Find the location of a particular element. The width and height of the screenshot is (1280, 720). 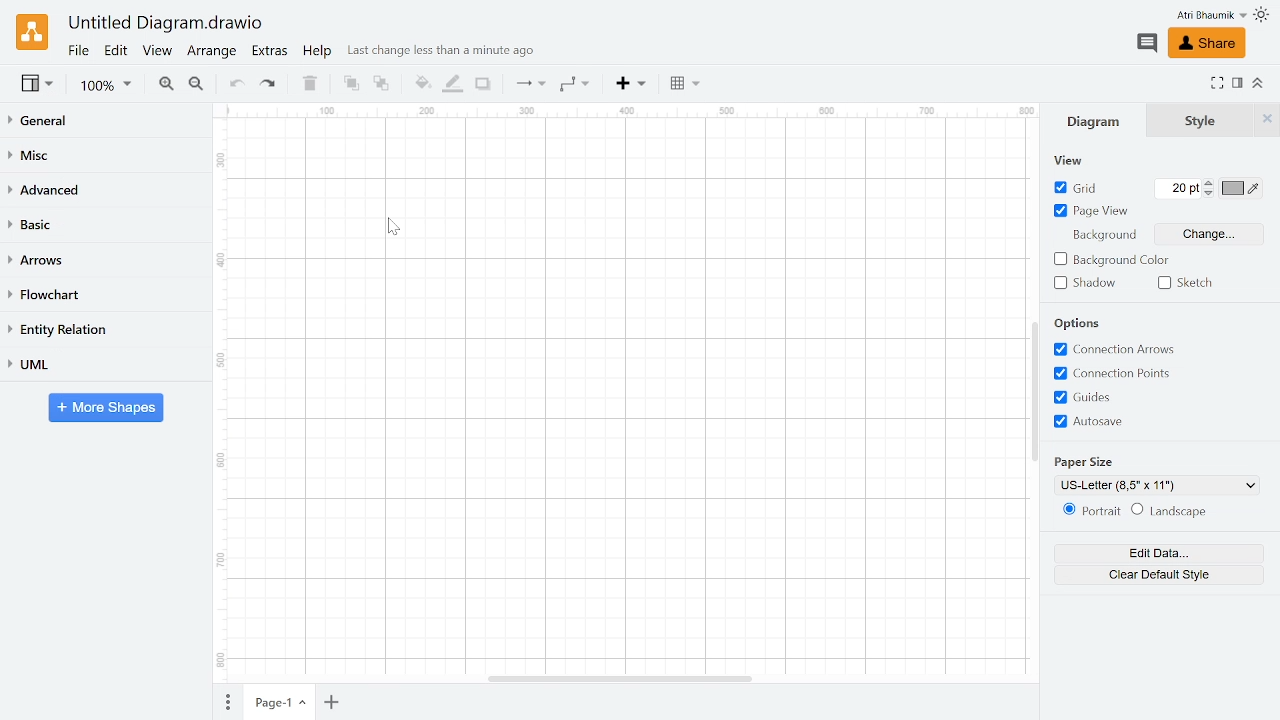

Guides is located at coordinates (1121, 398).